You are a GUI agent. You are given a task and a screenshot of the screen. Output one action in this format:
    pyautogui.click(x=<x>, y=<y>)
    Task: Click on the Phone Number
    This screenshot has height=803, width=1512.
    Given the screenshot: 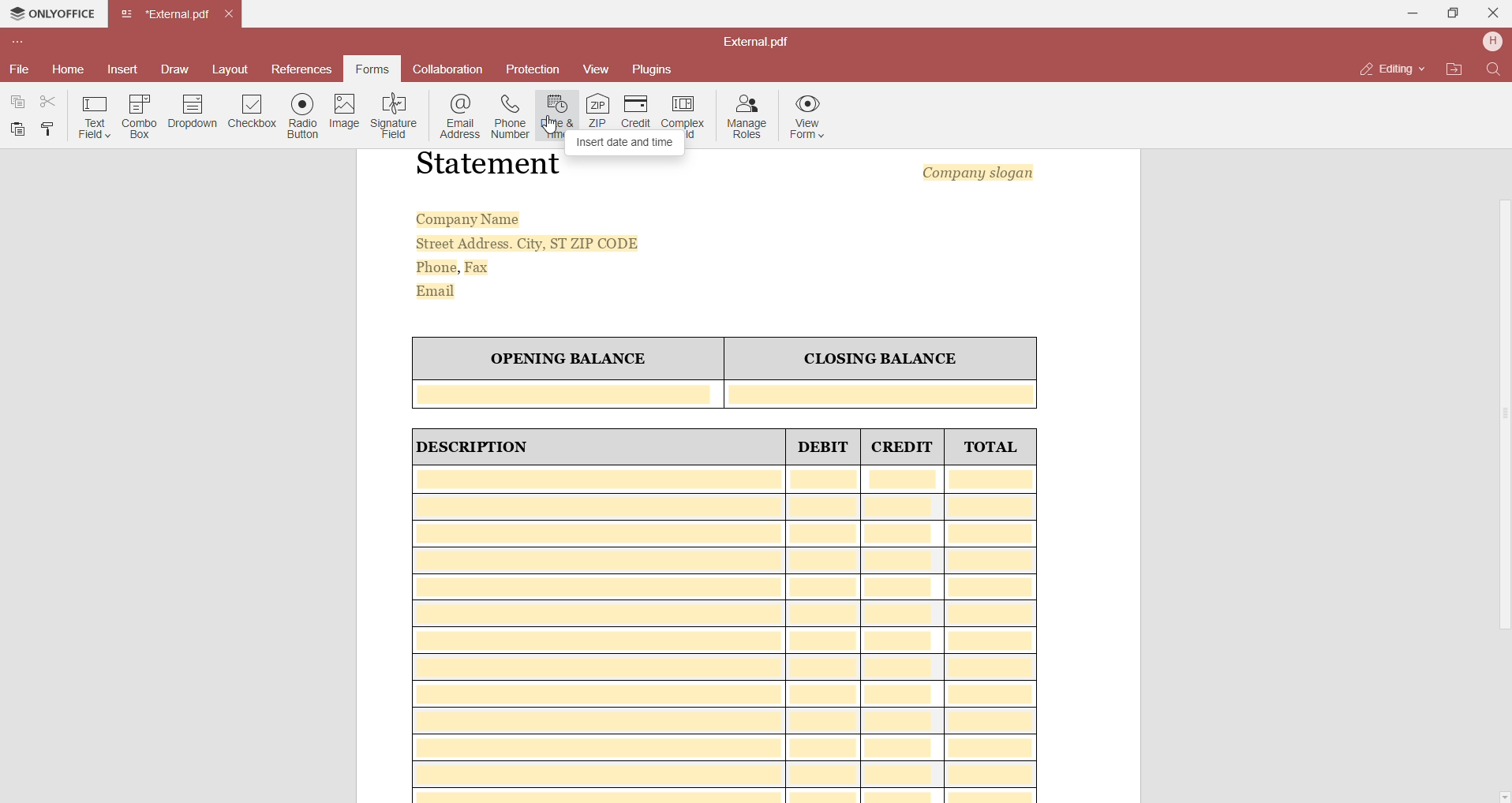 What is the action you would take?
    pyautogui.click(x=510, y=118)
    